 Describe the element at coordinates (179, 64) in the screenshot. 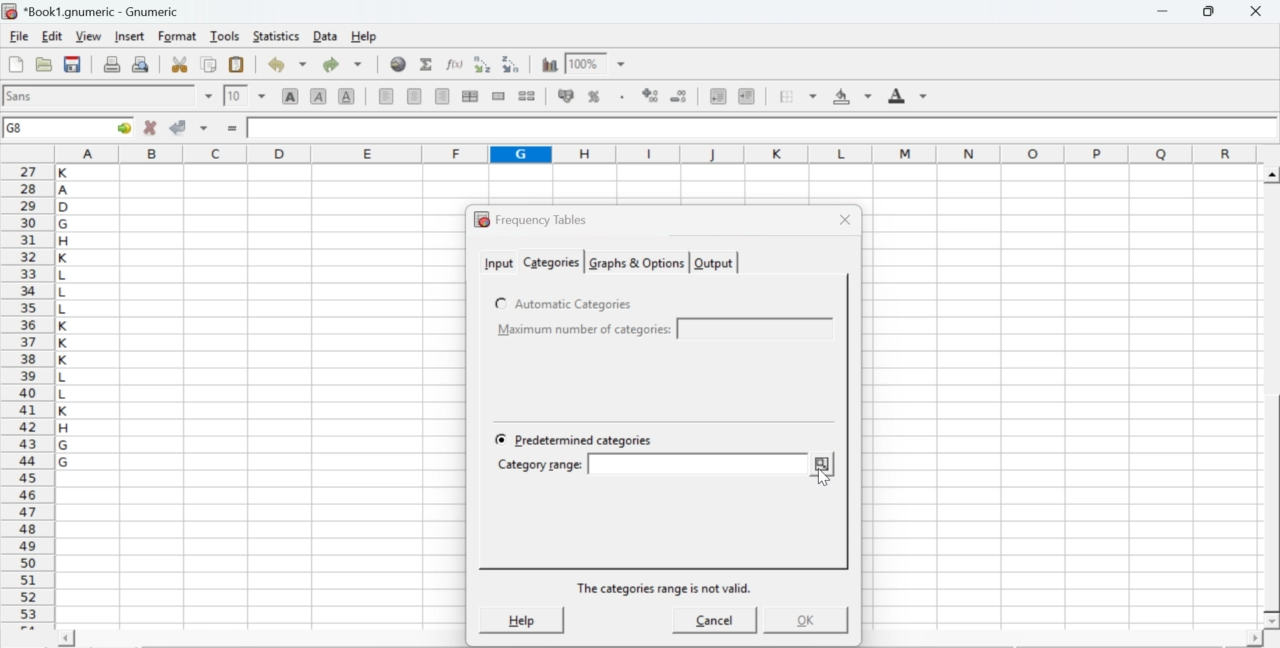

I see `cut` at that location.